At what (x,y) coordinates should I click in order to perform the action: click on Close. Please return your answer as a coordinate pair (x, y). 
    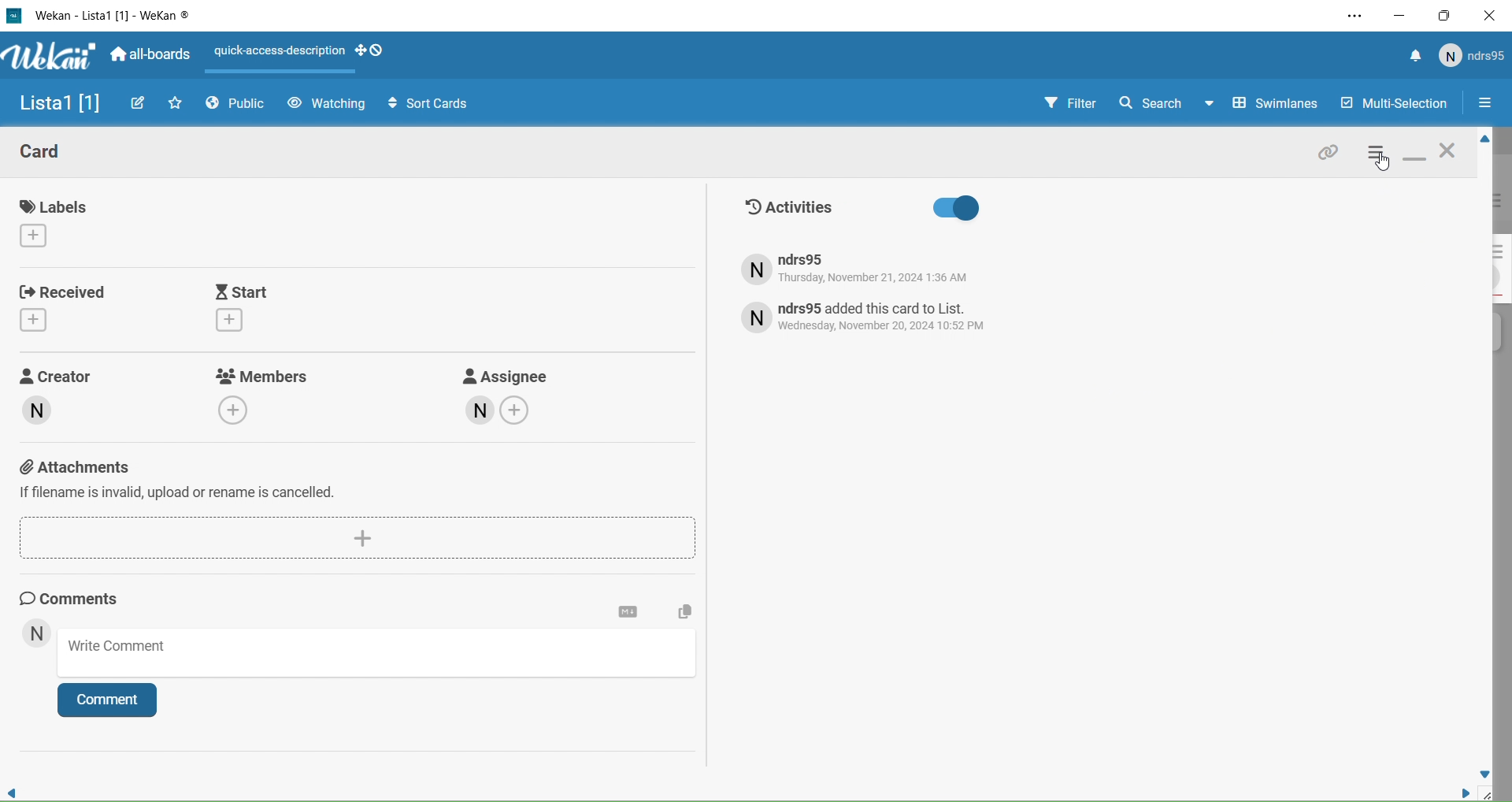
    Looking at the image, I should click on (1447, 158).